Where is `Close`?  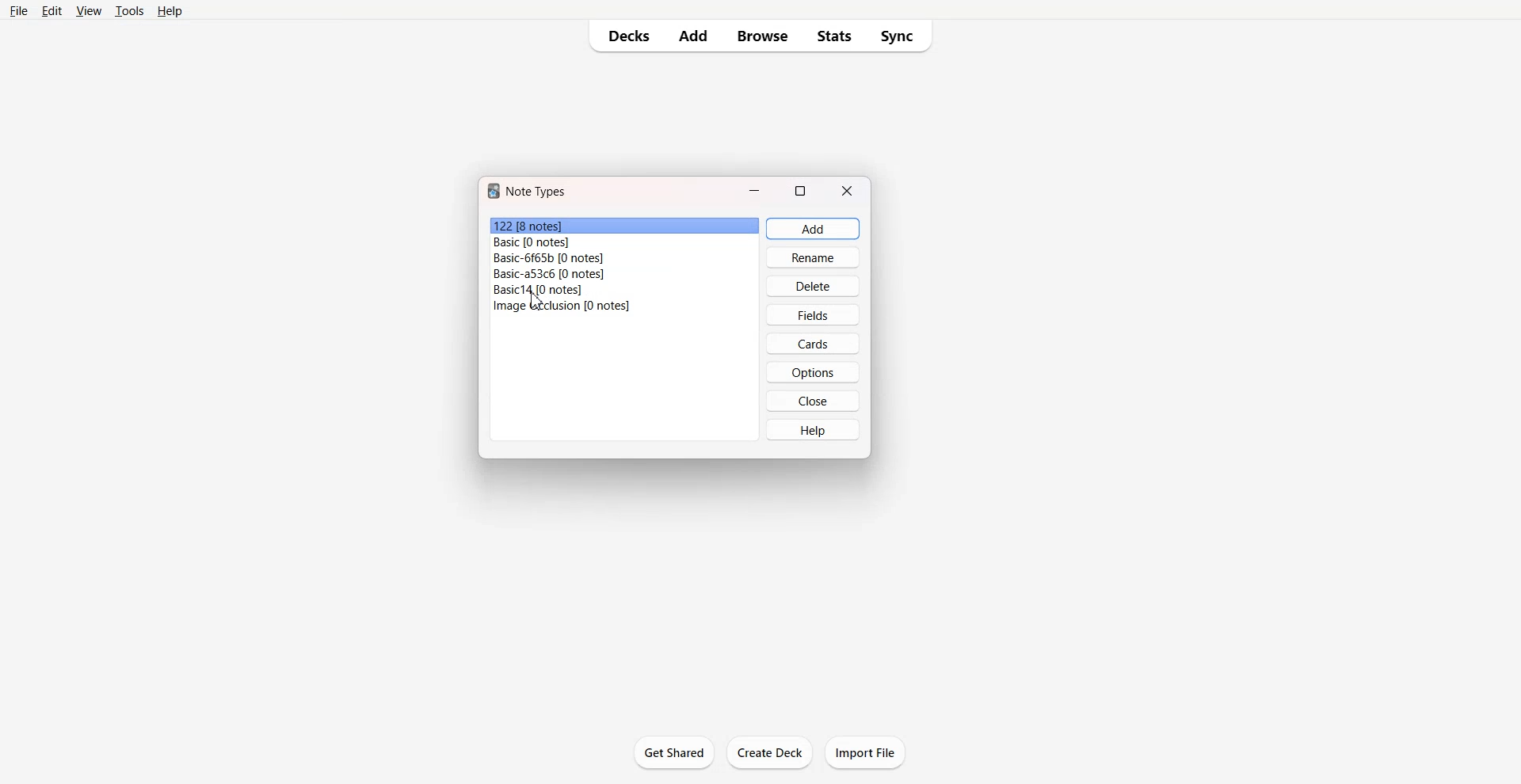 Close is located at coordinates (813, 401).